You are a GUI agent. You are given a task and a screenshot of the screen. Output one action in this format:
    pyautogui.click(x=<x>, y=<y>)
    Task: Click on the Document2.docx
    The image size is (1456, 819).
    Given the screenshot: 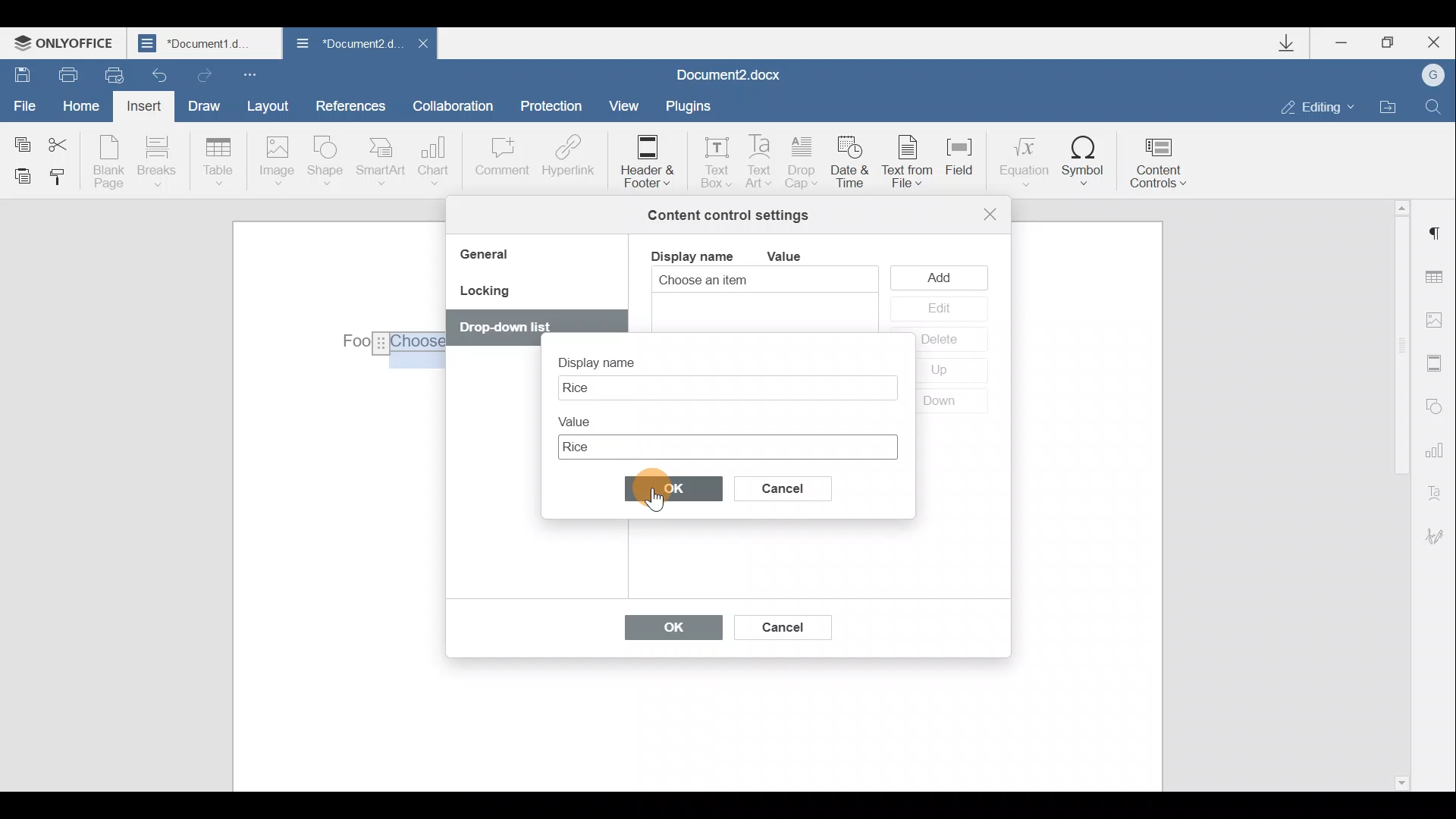 What is the action you would take?
    pyautogui.click(x=730, y=73)
    